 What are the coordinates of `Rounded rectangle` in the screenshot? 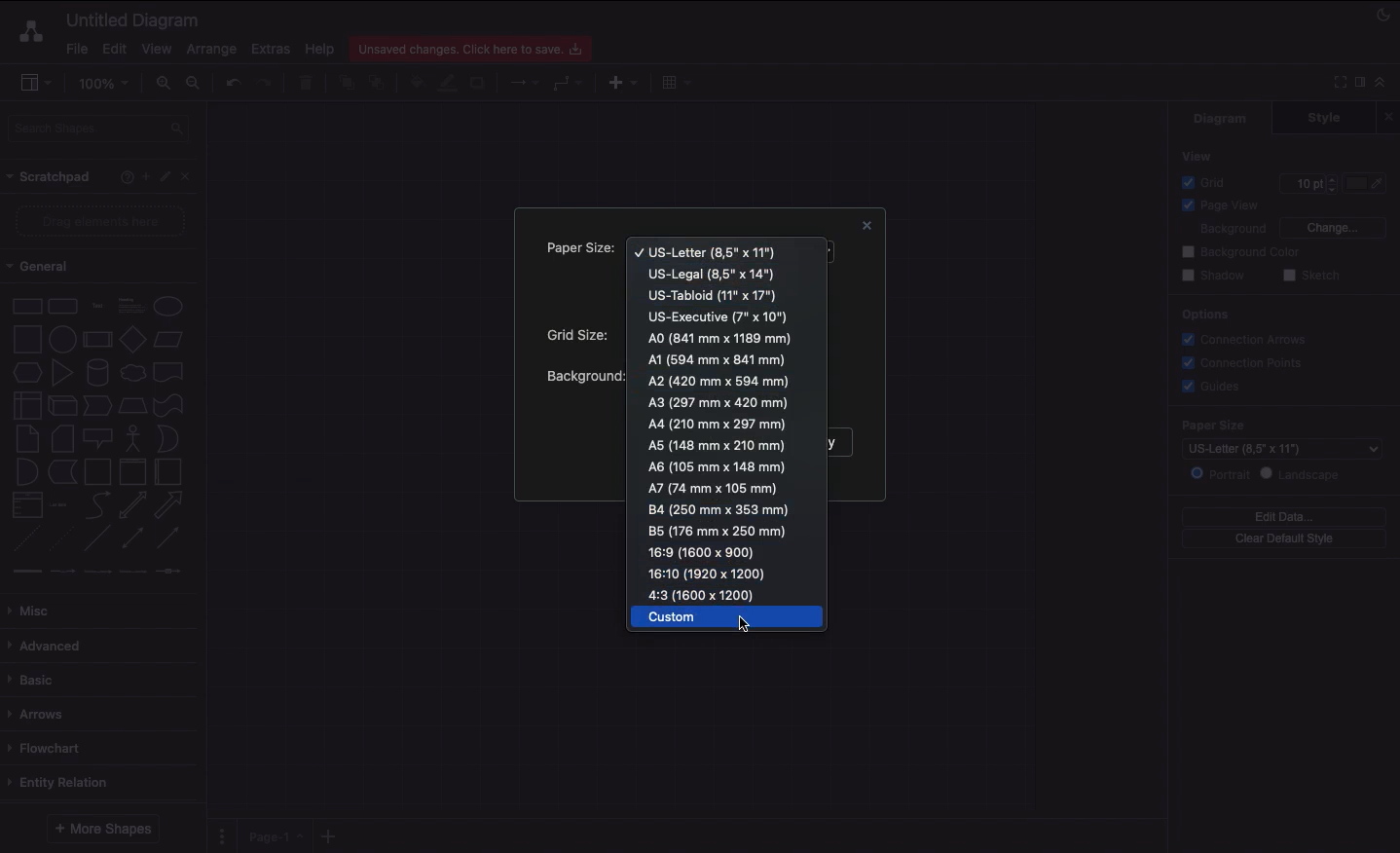 It's located at (63, 305).